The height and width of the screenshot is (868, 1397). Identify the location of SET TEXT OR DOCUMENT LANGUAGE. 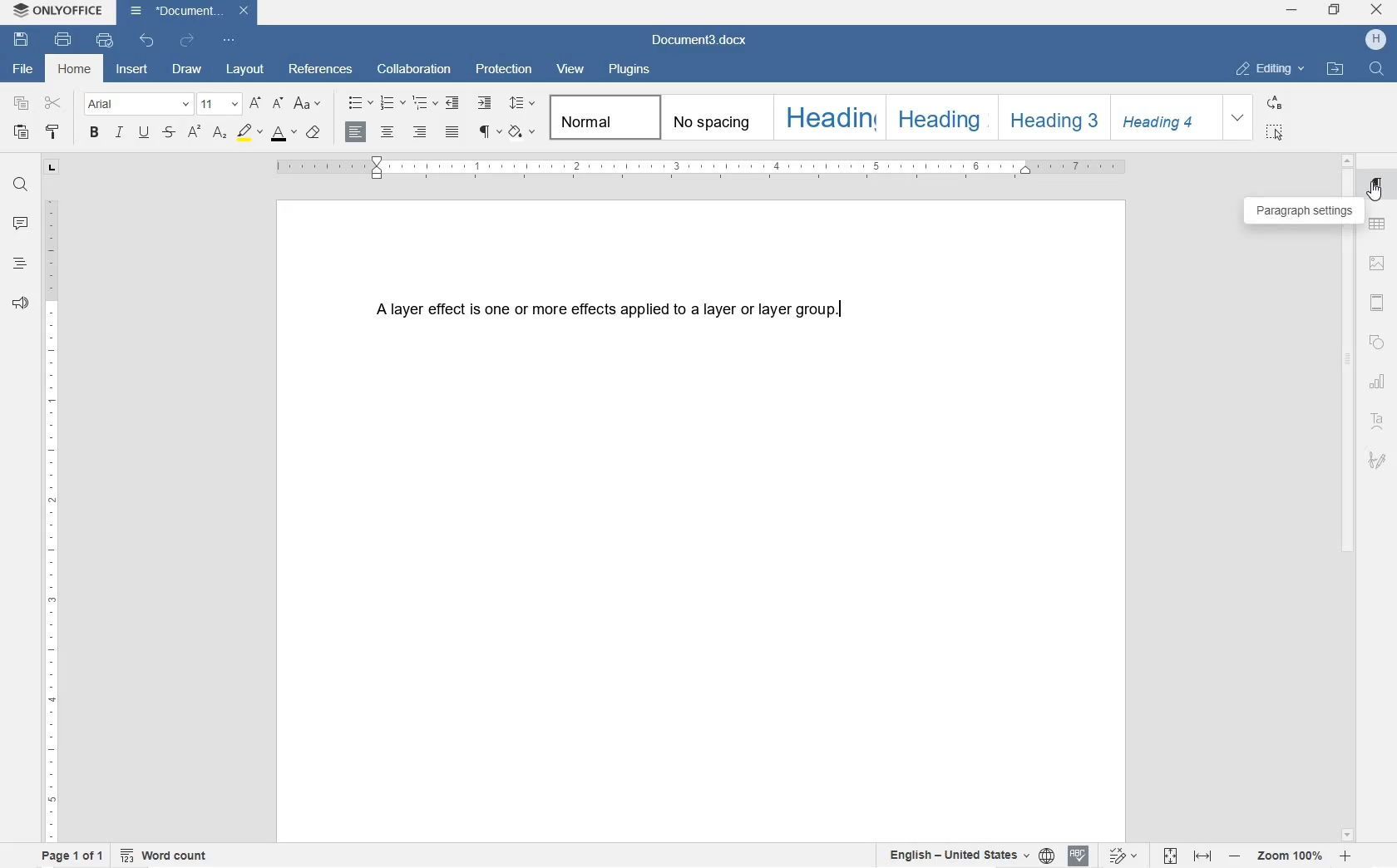
(970, 856).